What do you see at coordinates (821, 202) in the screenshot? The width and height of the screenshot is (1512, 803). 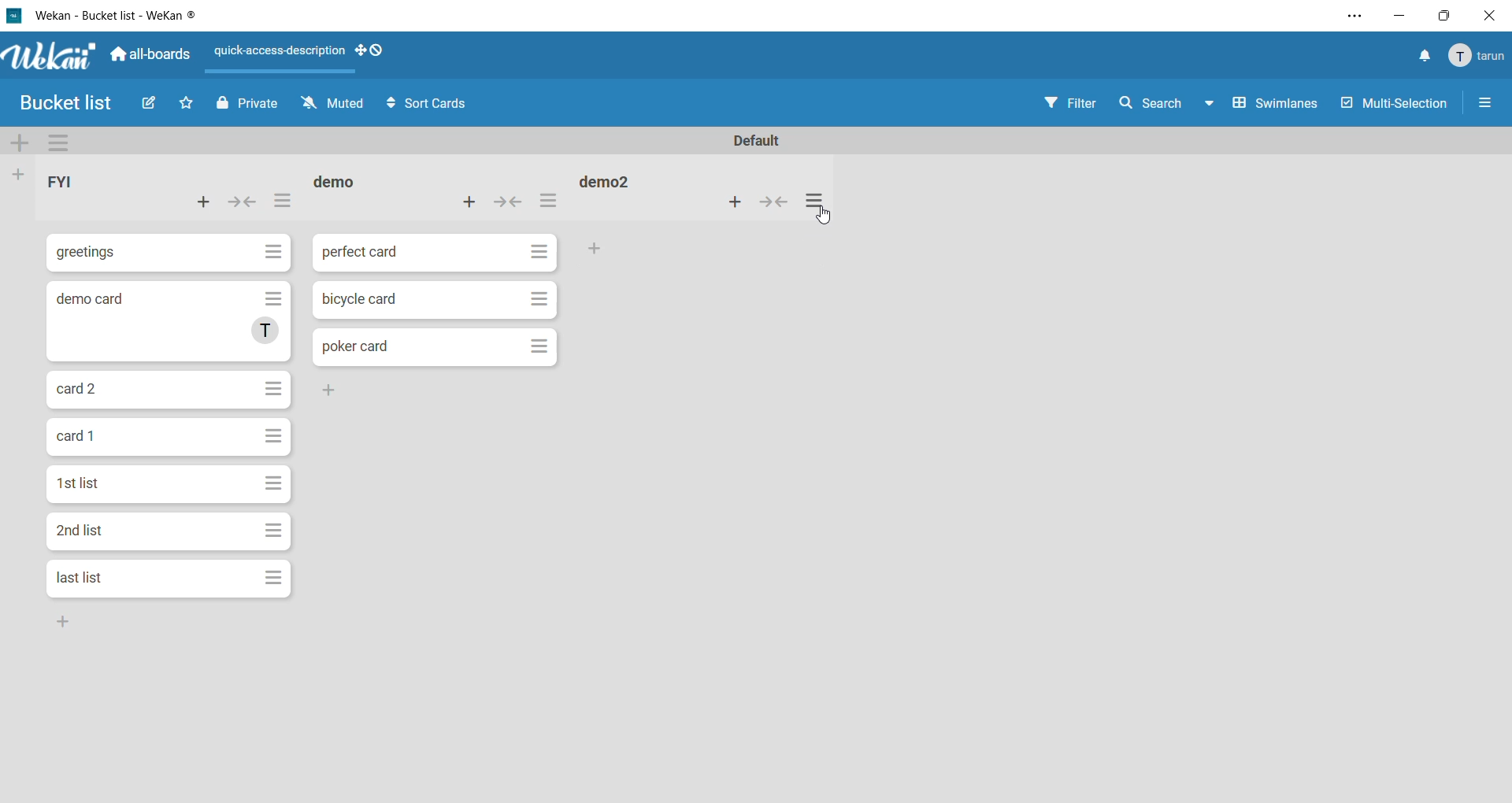 I see `list actions` at bounding box center [821, 202].